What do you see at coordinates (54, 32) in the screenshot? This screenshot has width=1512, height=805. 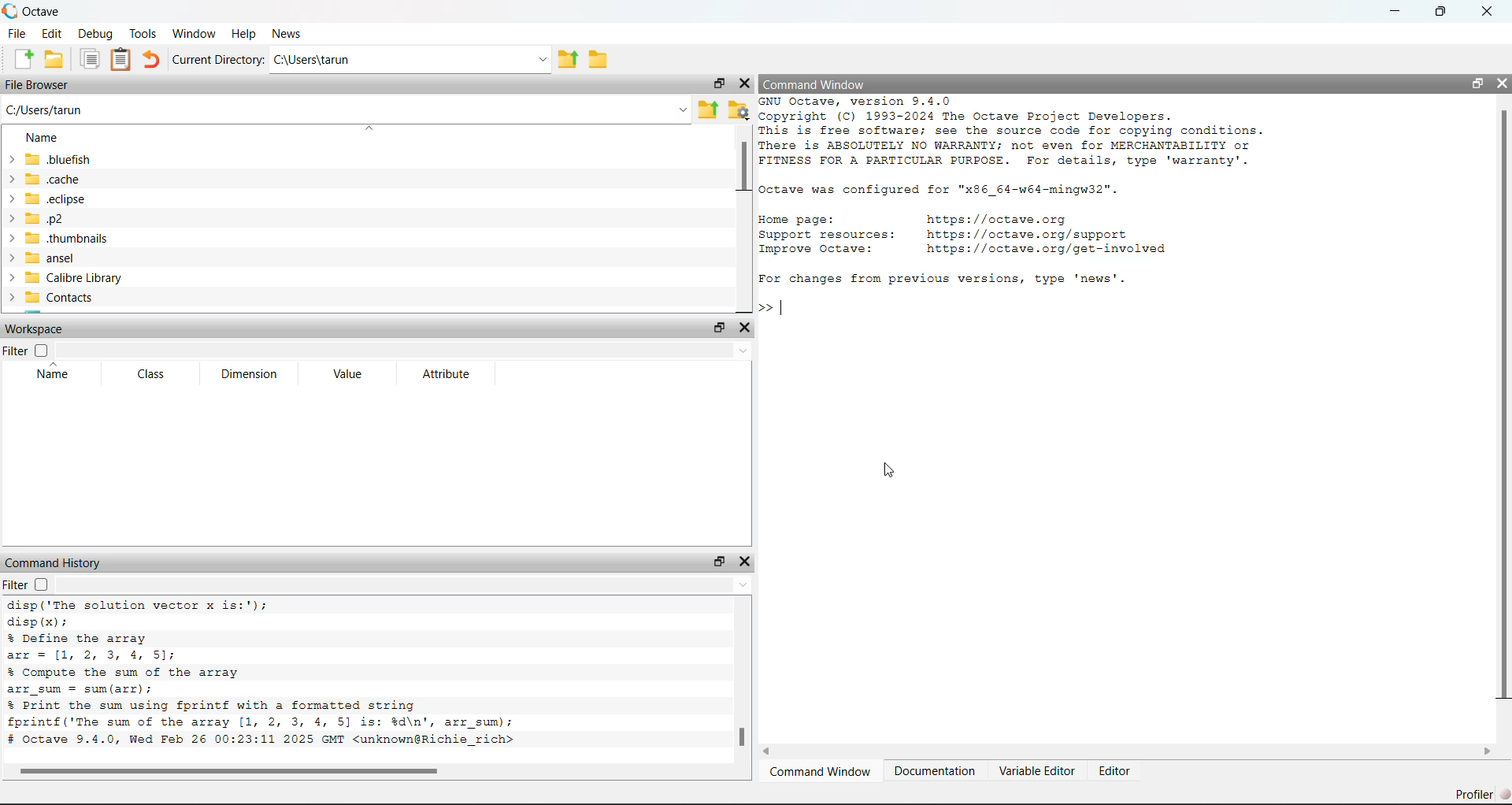 I see `Edit` at bounding box center [54, 32].